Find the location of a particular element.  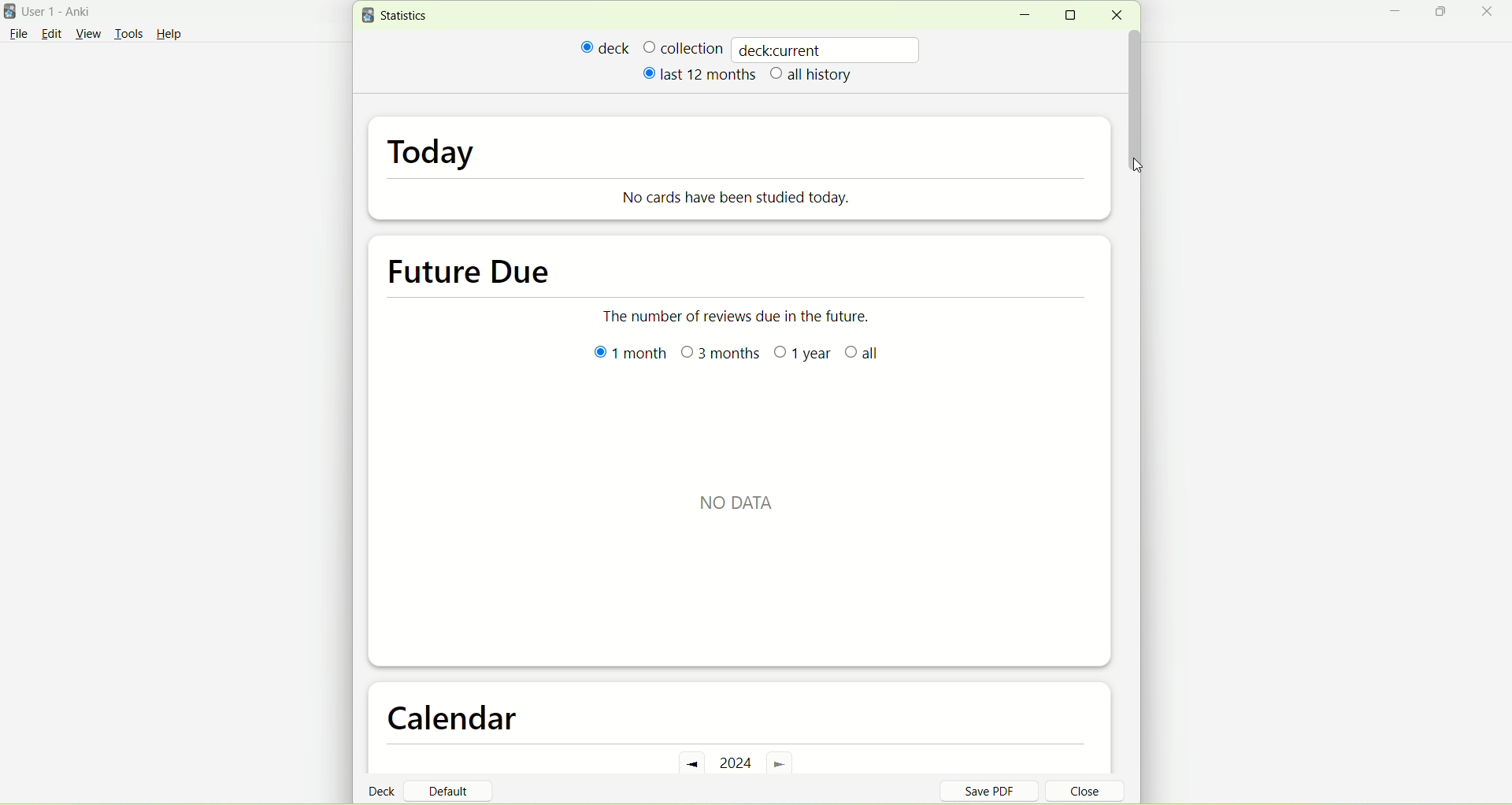

File  is located at coordinates (18, 34).